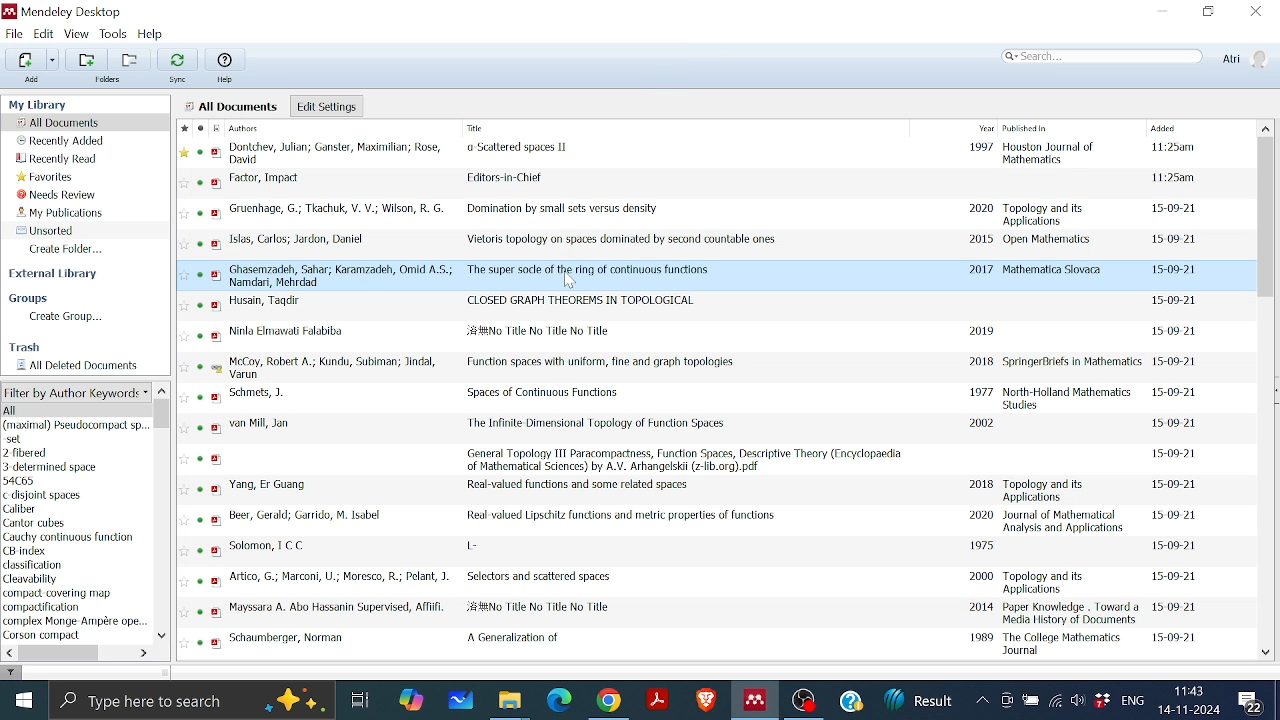 This screenshot has height=720, width=1280. What do you see at coordinates (560, 698) in the screenshot?
I see `Microsoft edge` at bounding box center [560, 698].